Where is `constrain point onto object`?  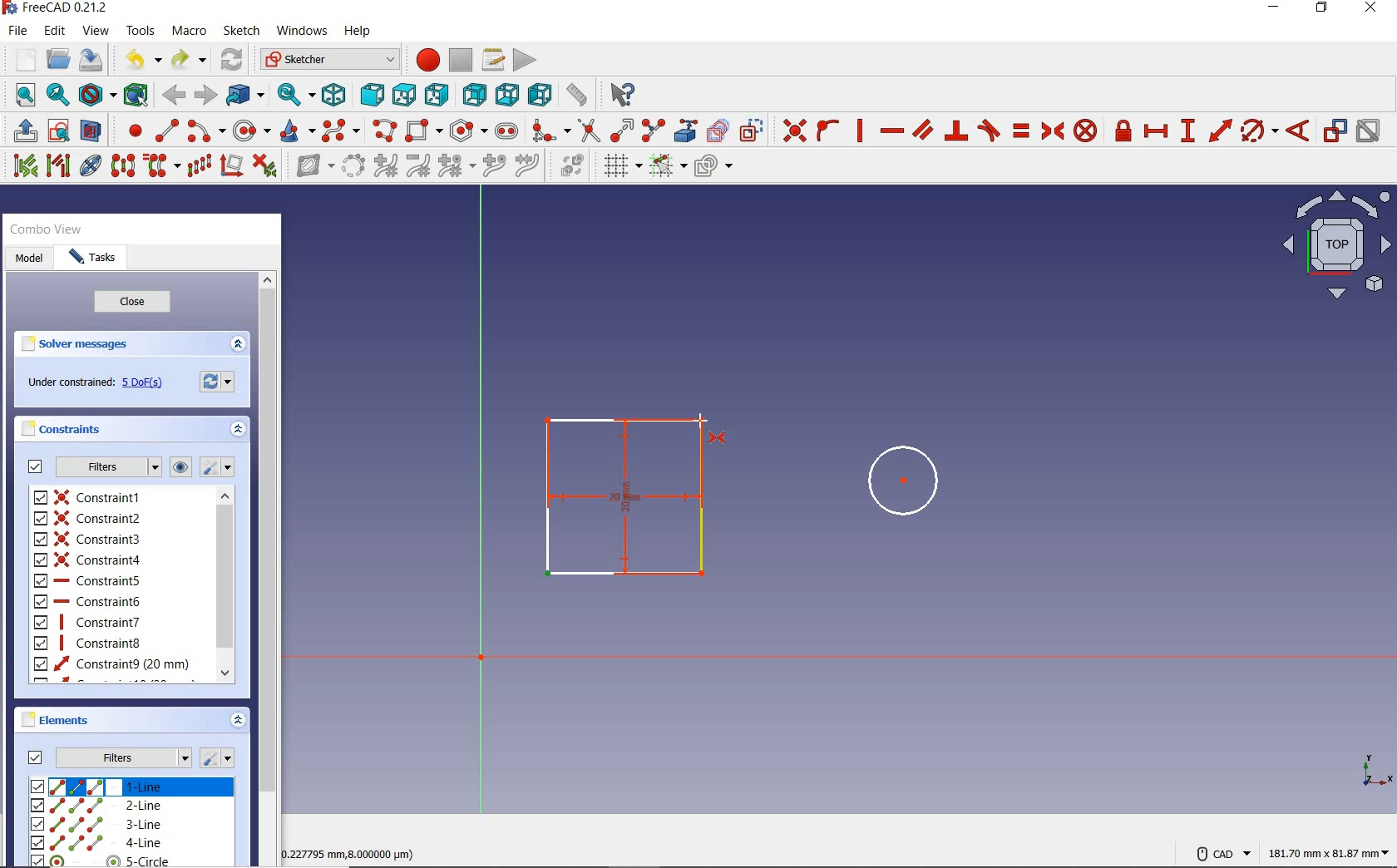
constrain point onto object is located at coordinates (827, 131).